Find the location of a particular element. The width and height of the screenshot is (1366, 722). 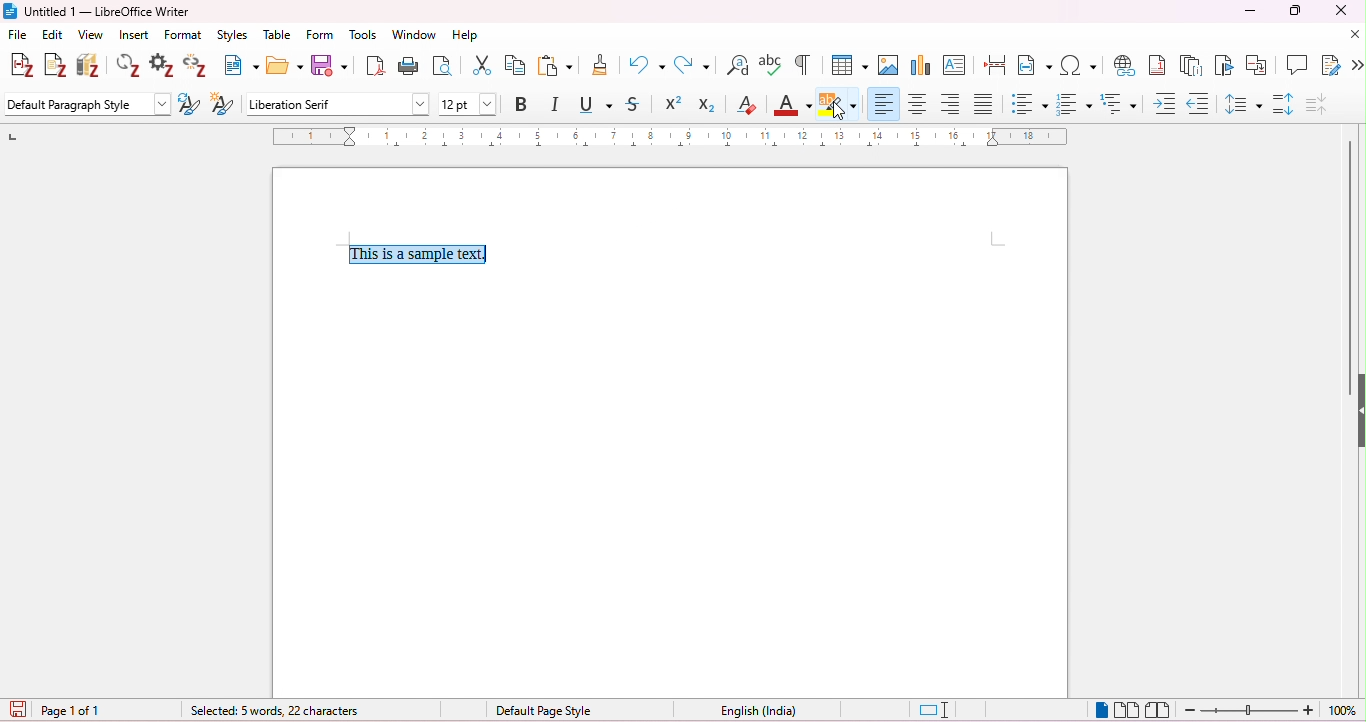

help is located at coordinates (467, 35).